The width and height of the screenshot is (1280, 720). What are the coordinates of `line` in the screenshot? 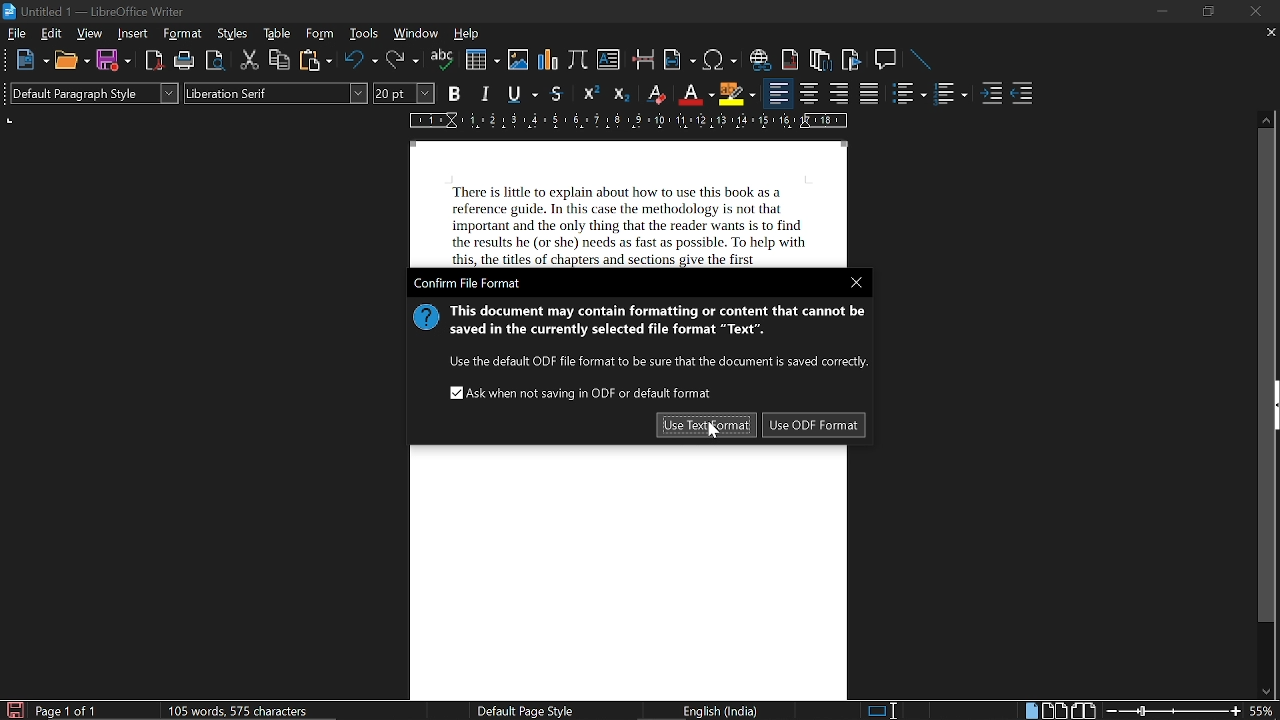 It's located at (922, 60).